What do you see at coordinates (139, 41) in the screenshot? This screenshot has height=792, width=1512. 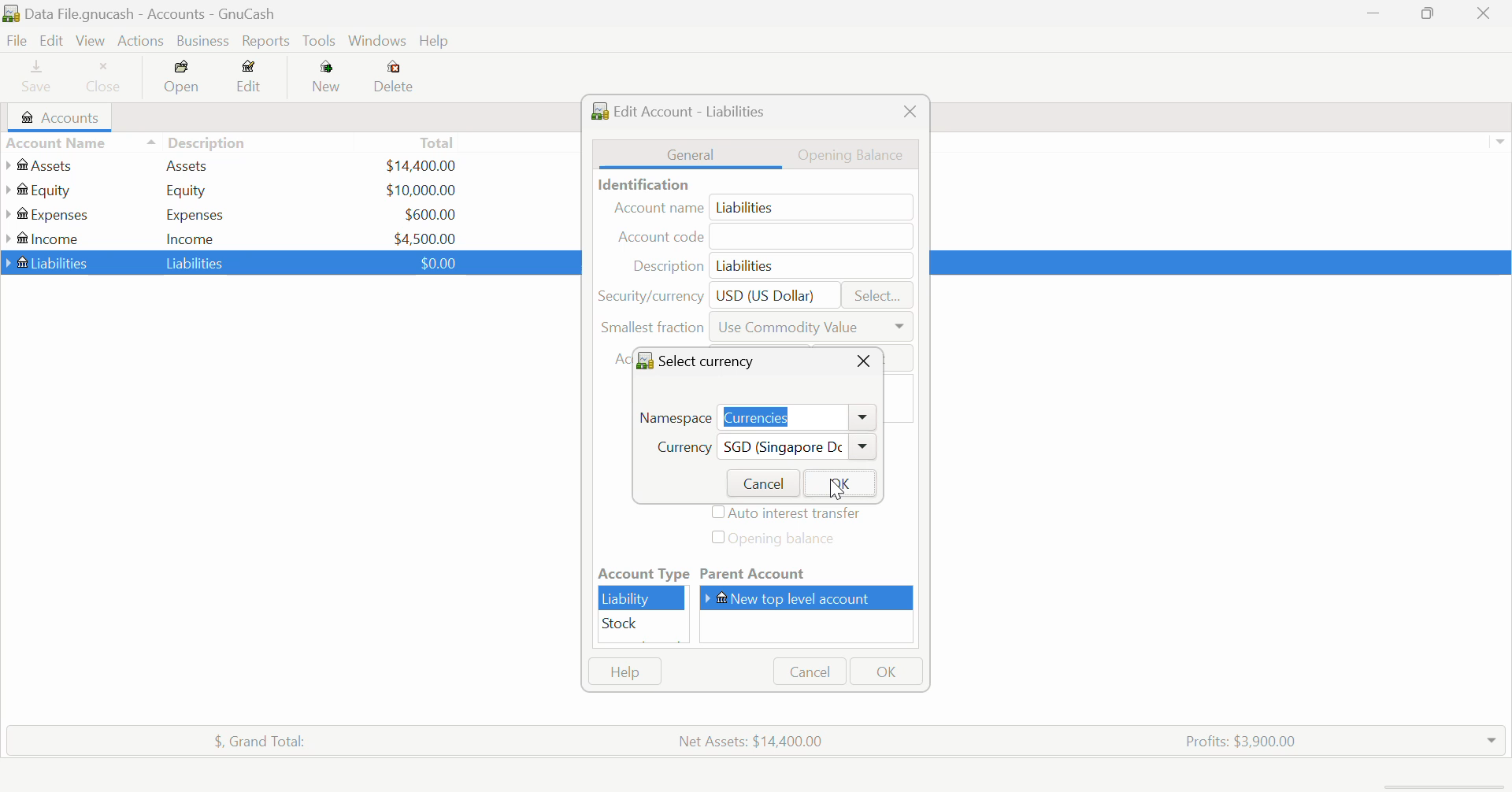 I see `Actions` at bounding box center [139, 41].